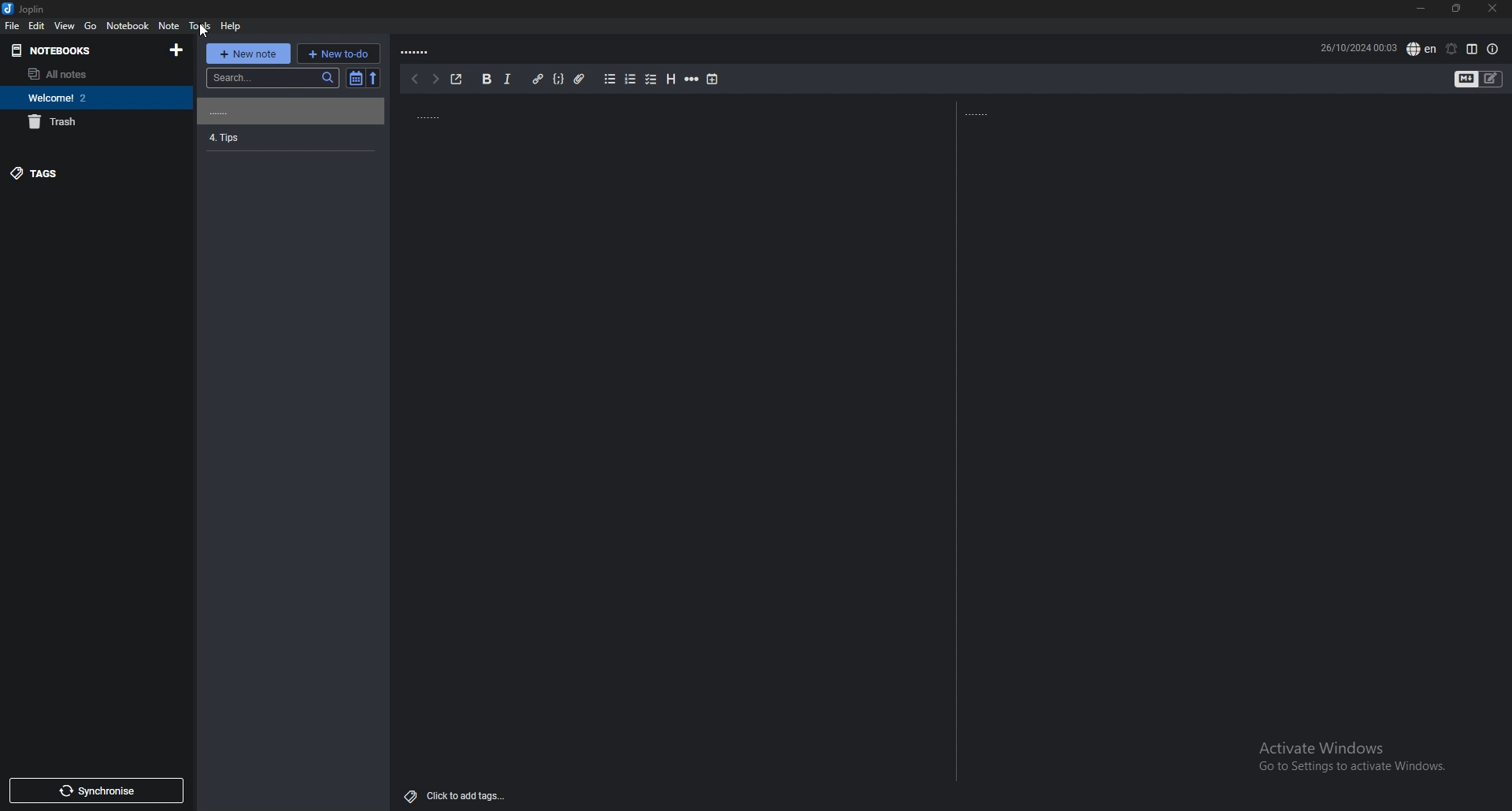  Describe the element at coordinates (487, 79) in the screenshot. I see `bold` at that location.